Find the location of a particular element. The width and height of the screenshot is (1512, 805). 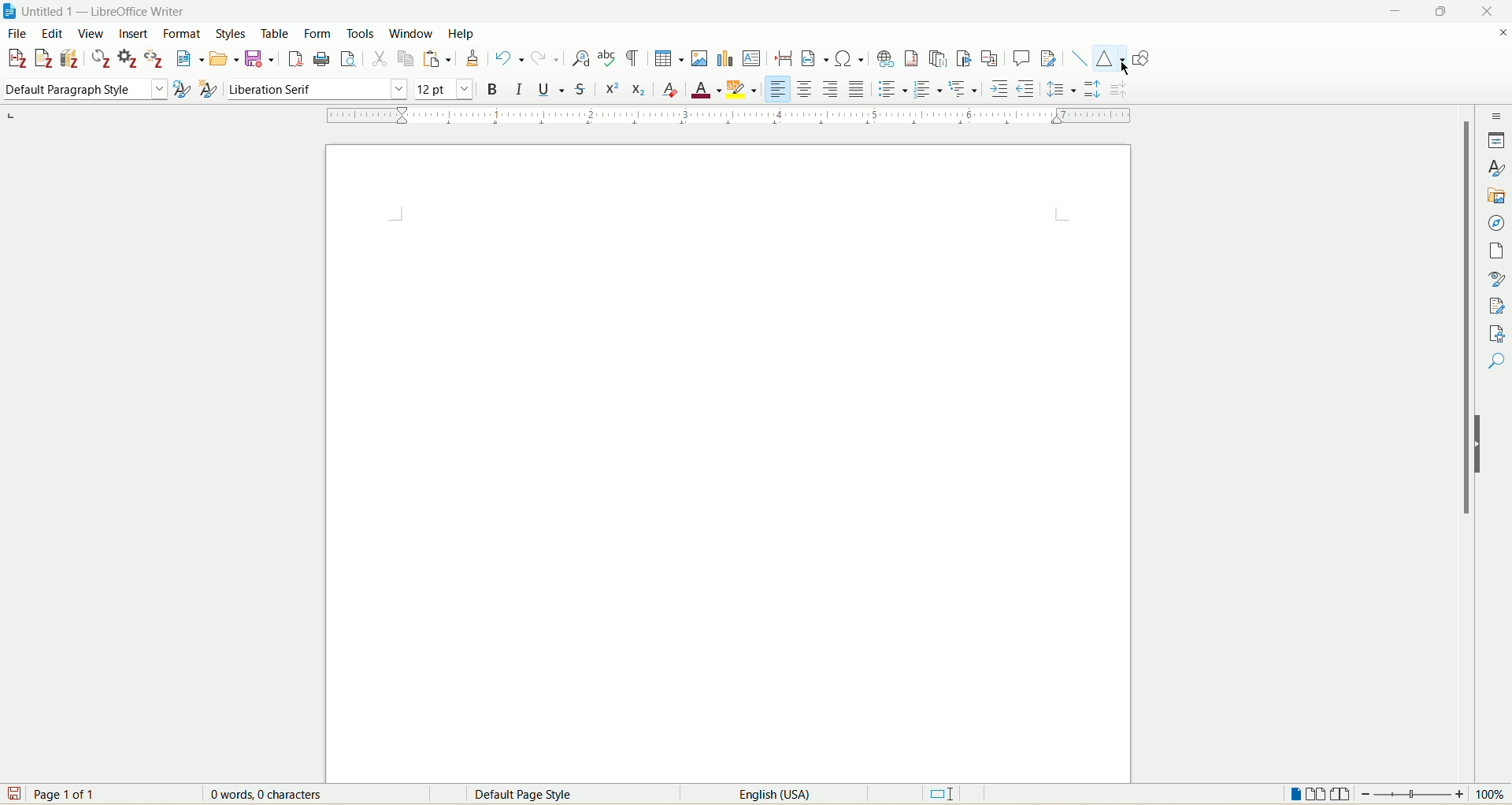

tools is located at coordinates (362, 32).